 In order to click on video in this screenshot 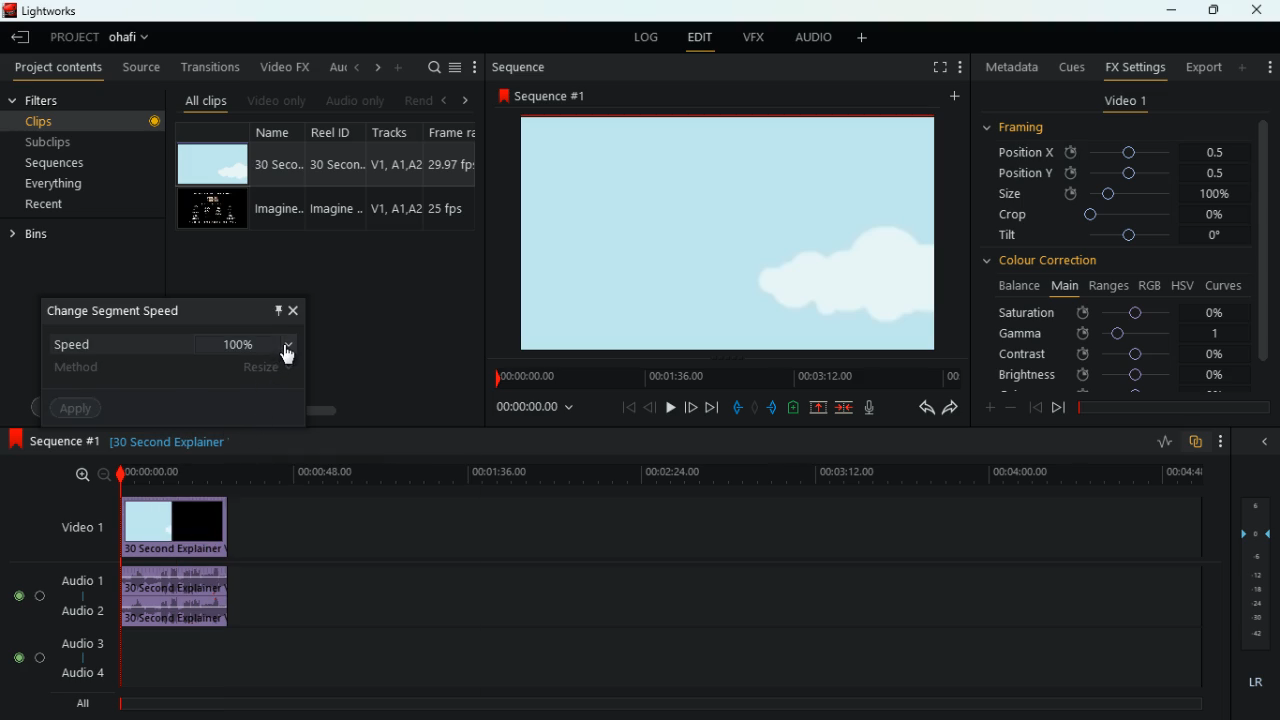, I will do `click(181, 525)`.